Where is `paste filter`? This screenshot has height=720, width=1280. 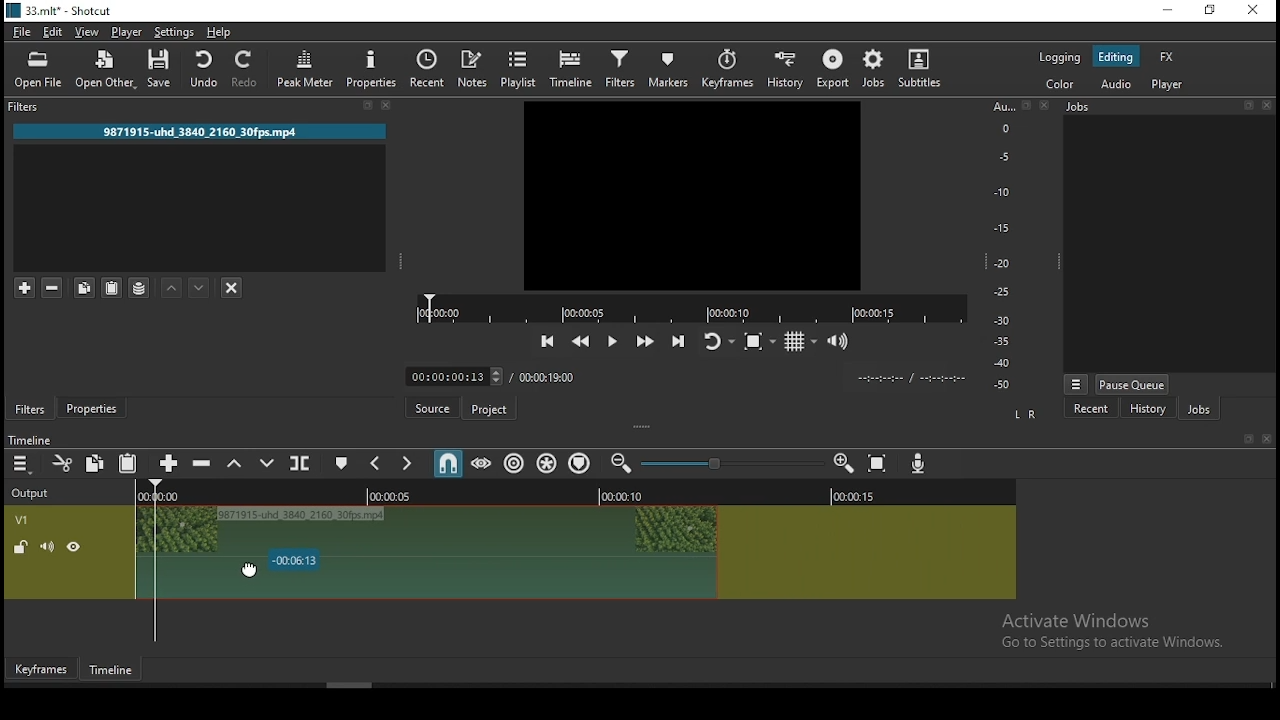
paste filter is located at coordinates (110, 289).